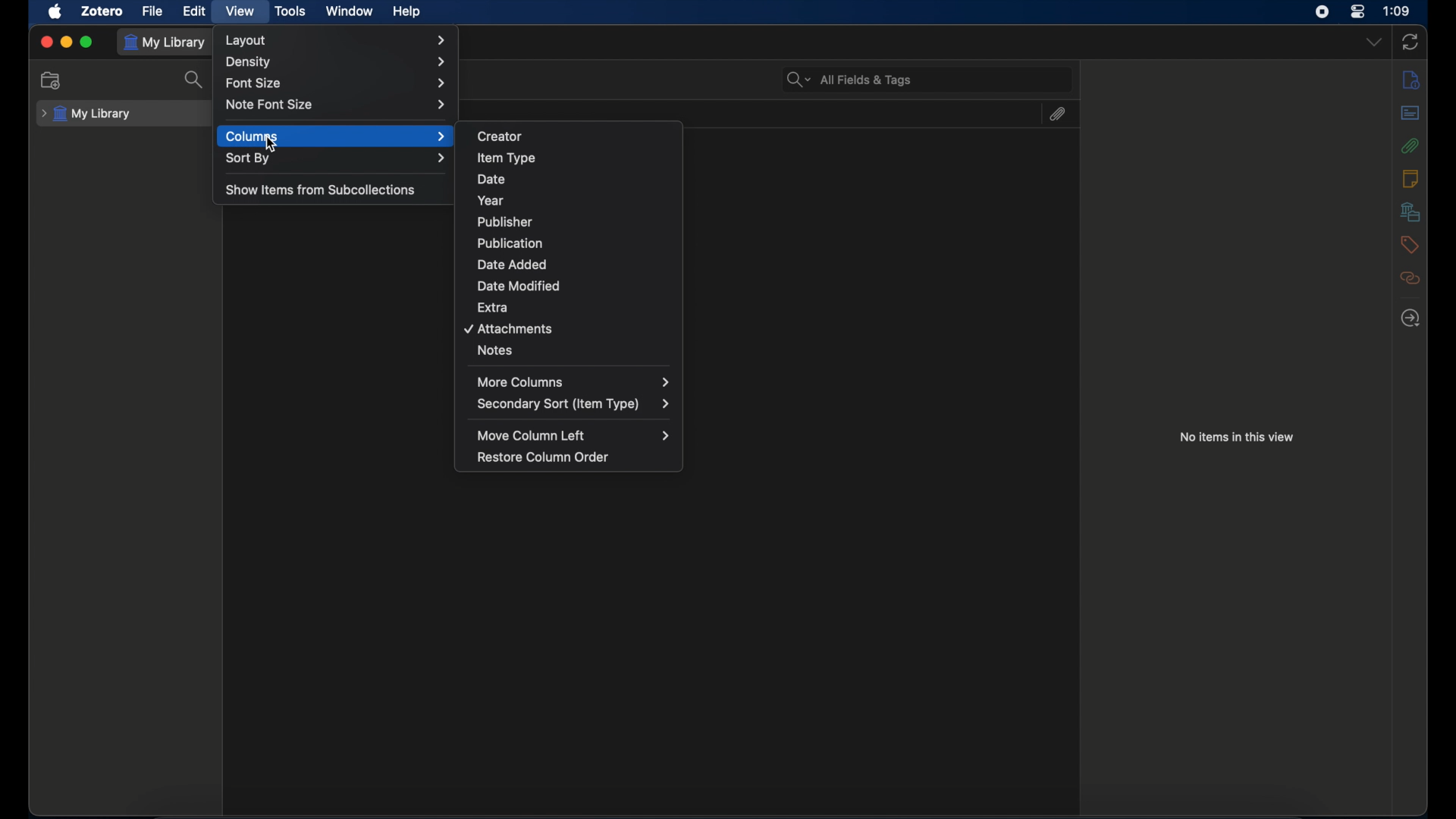 This screenshot has width=1456, height=819. Describe the element at coordinates (335, 158) in the screenshot. I see `sort by` at that location.